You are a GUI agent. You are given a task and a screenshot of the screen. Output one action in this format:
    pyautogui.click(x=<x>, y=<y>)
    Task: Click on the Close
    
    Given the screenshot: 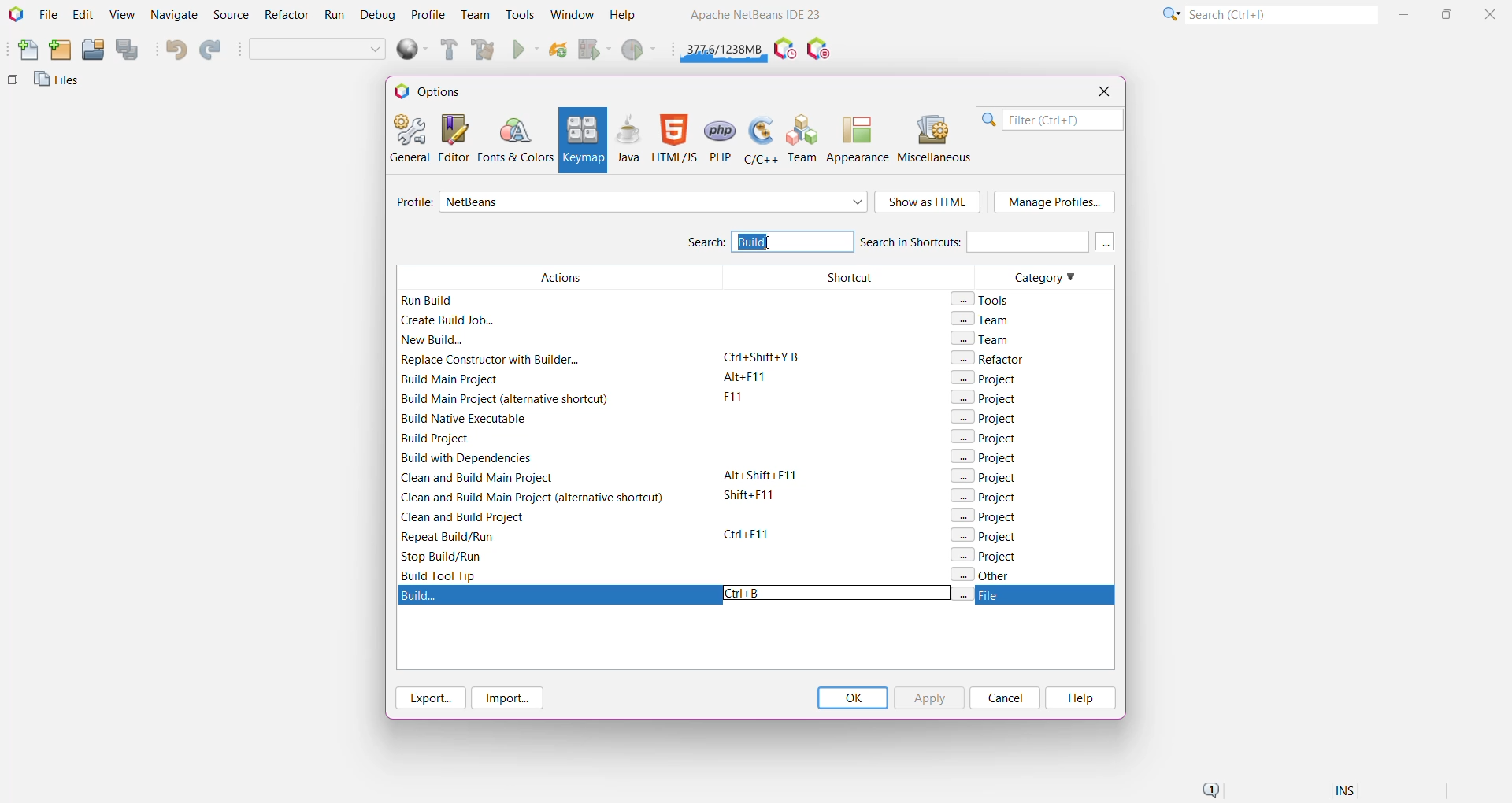 What is the action you would take?
    pyautogui.click(x=1103, y=91)
    